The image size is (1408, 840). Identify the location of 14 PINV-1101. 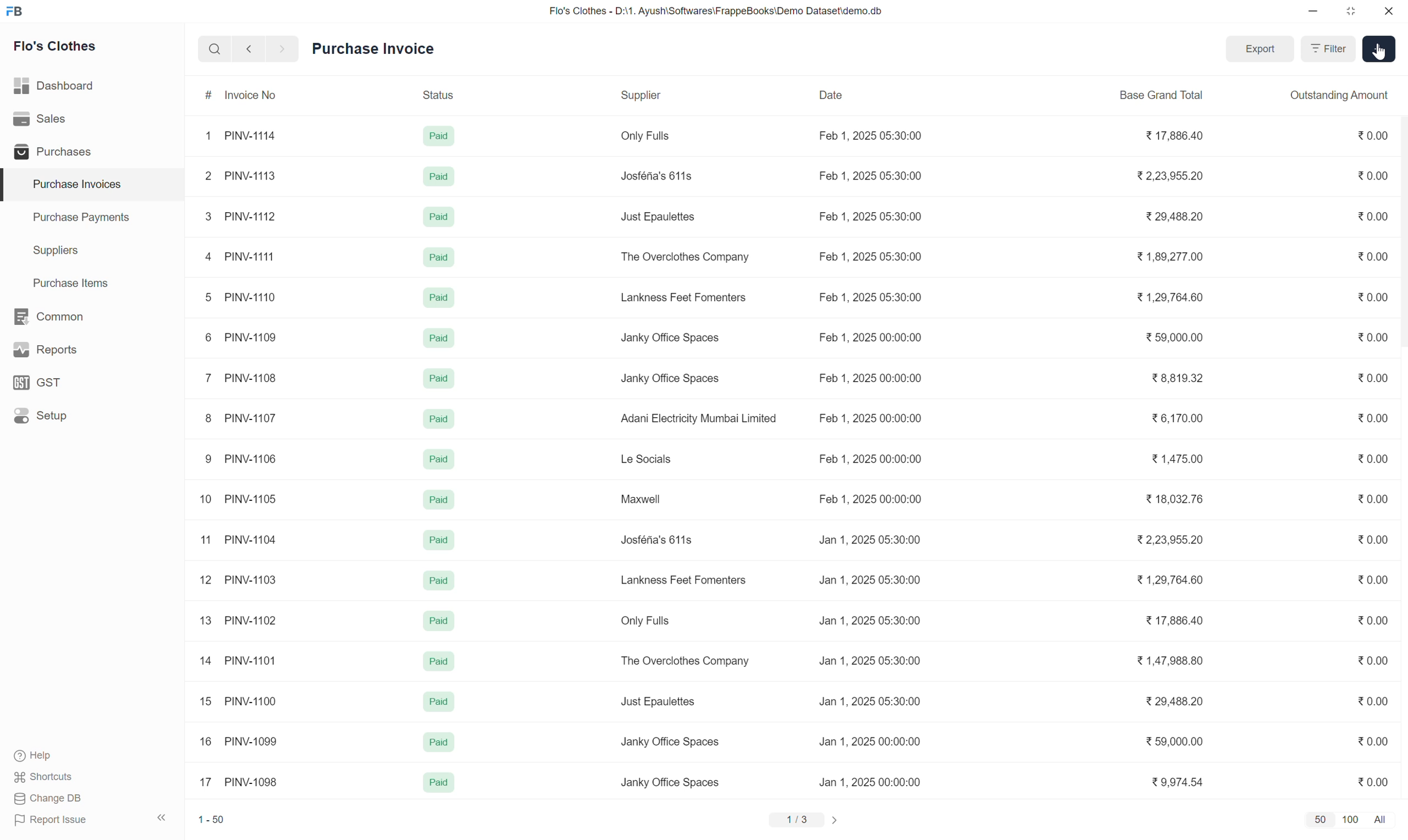
(239, 661).